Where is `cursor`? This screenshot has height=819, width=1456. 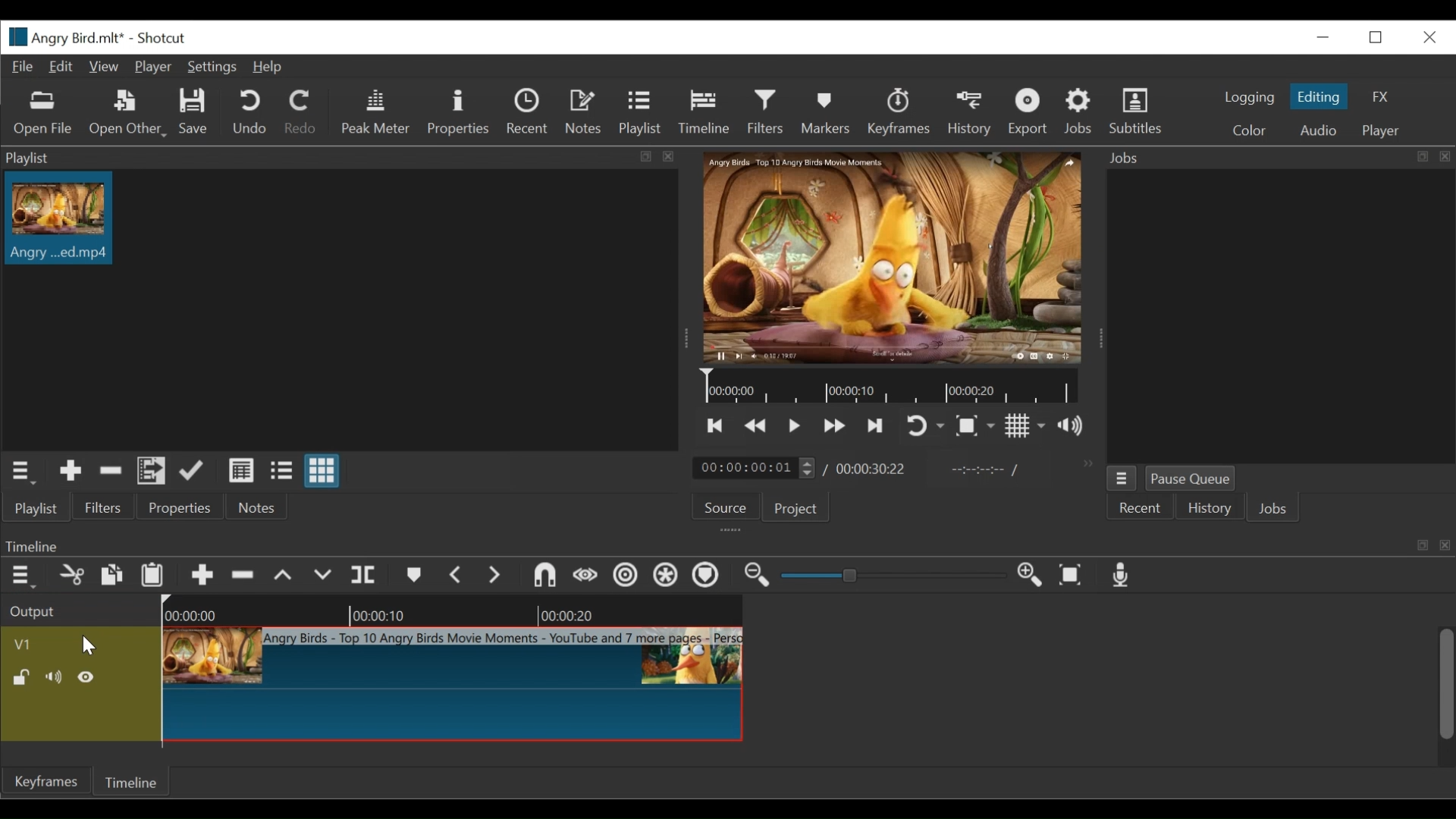
cursor is located at coordinates (90, 648).